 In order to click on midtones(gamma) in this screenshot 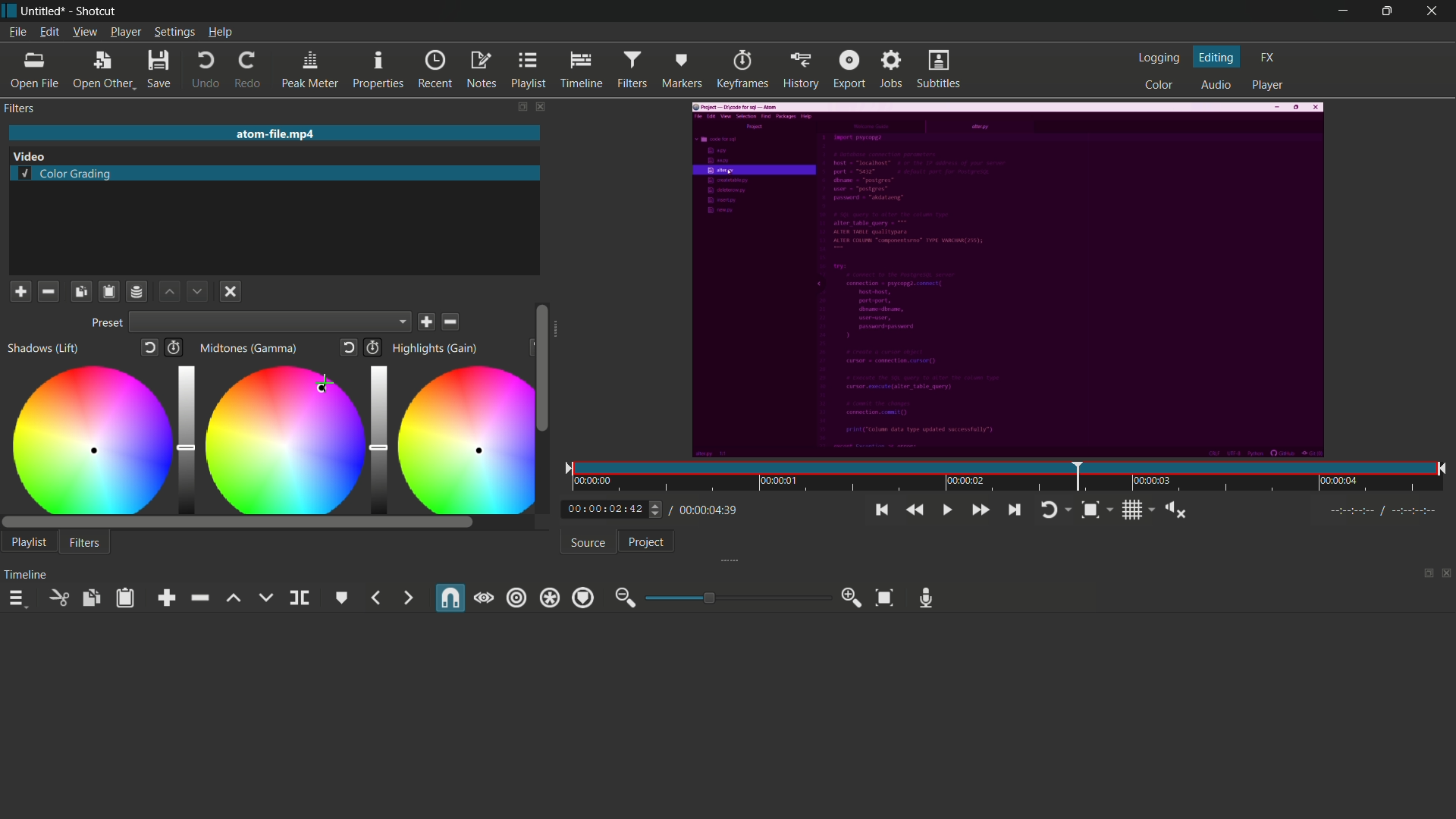, I will do `click(251, 349)`.